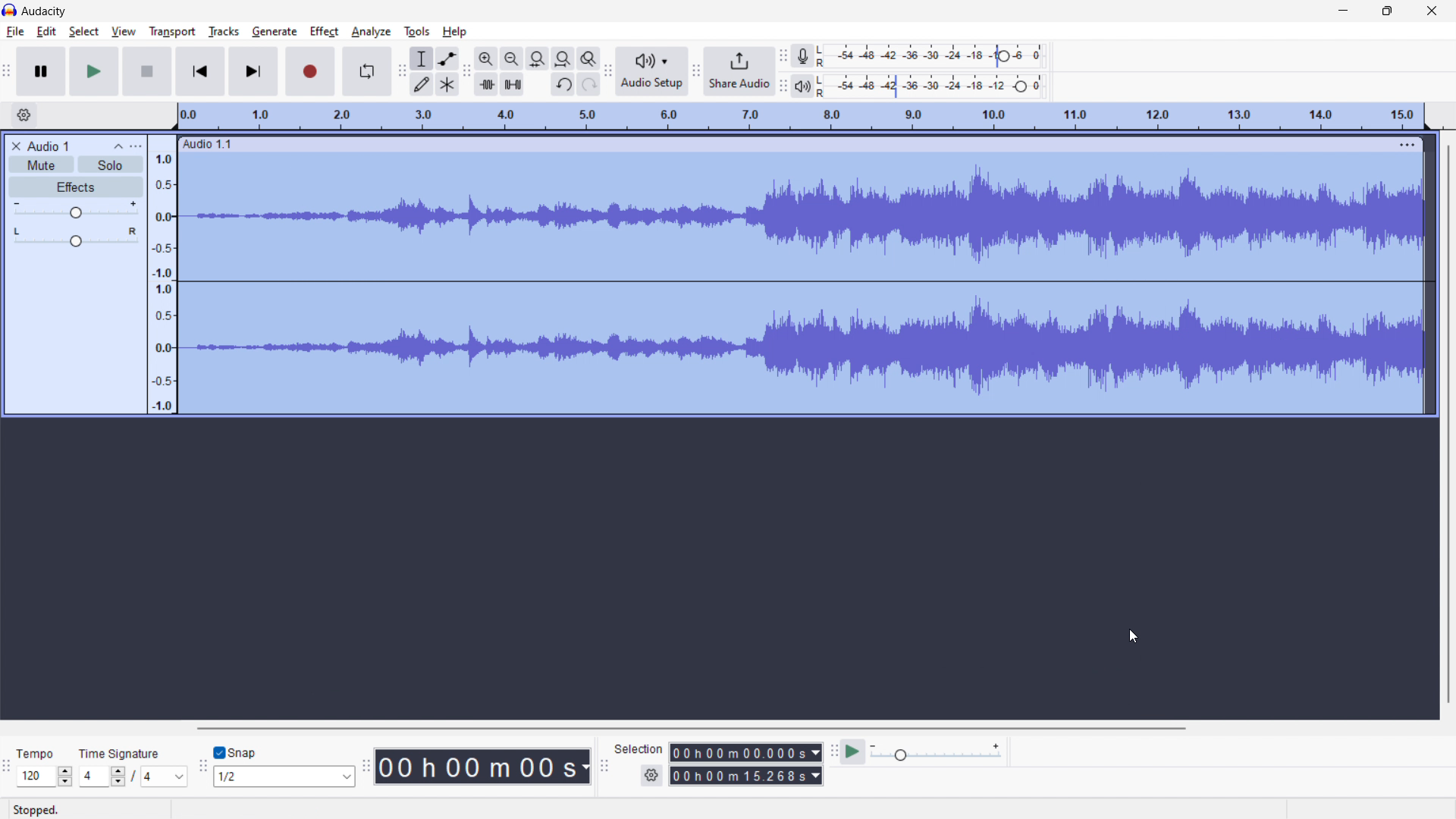 This screenshot has height=819, width=1456. I want to click on redo, so click(588, 84).